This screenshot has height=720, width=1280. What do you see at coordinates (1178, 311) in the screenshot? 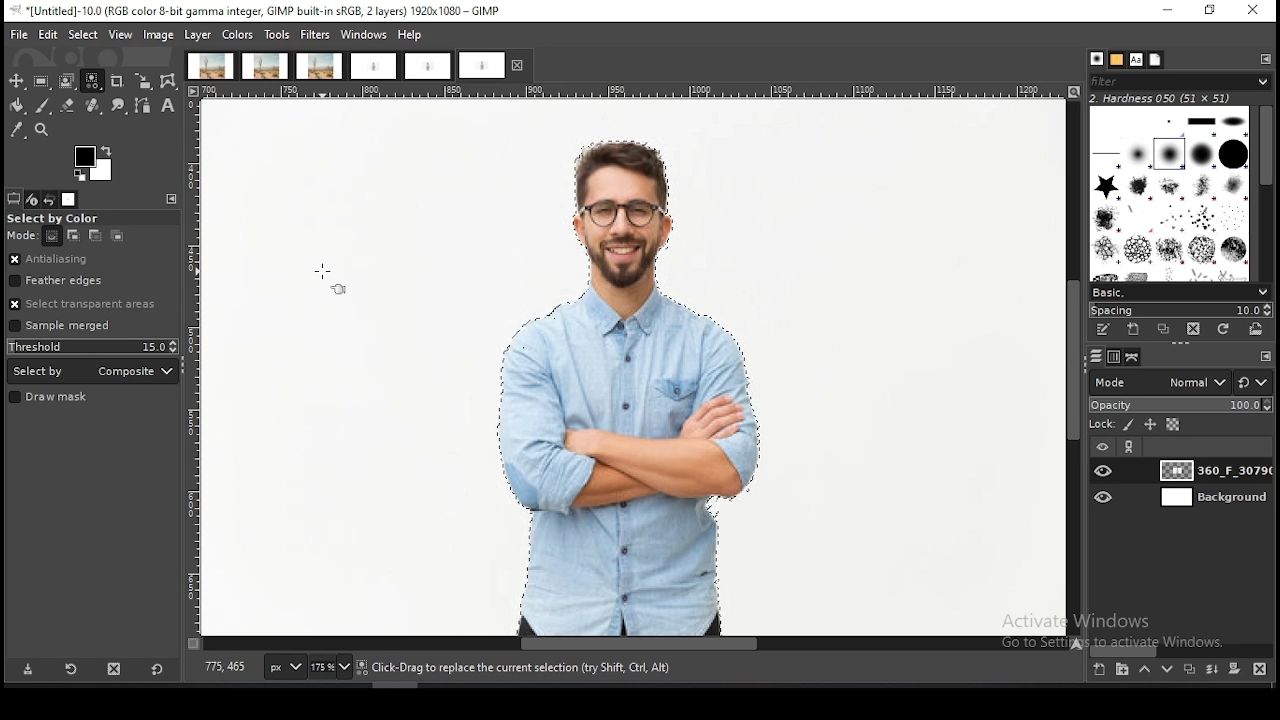
I see `spacing` at bounding box center [1178, 311].